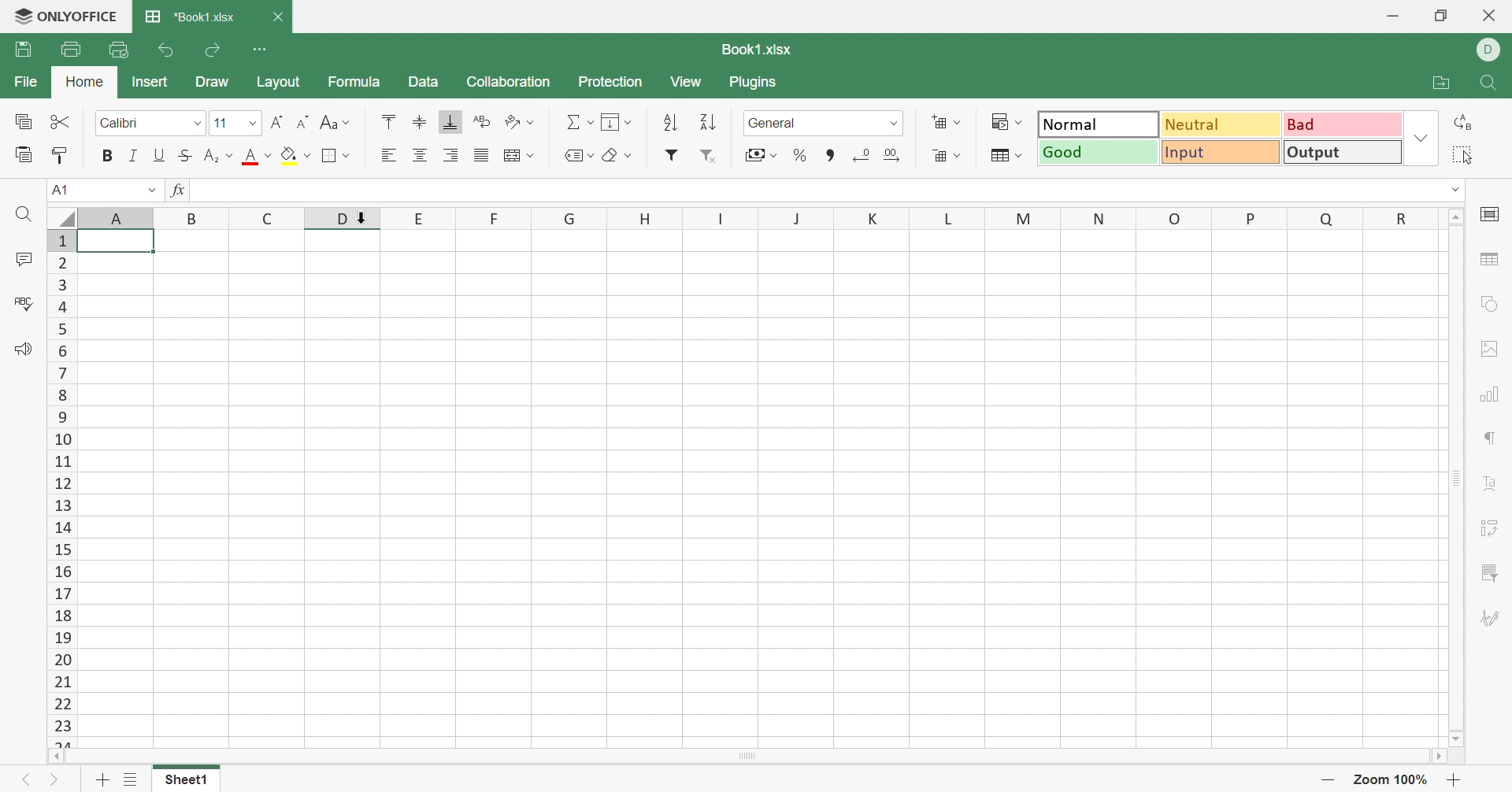  What do you see at coordinates (23, 779) in the screenshot?
I see `Previous` at bounding box center [23, 779].